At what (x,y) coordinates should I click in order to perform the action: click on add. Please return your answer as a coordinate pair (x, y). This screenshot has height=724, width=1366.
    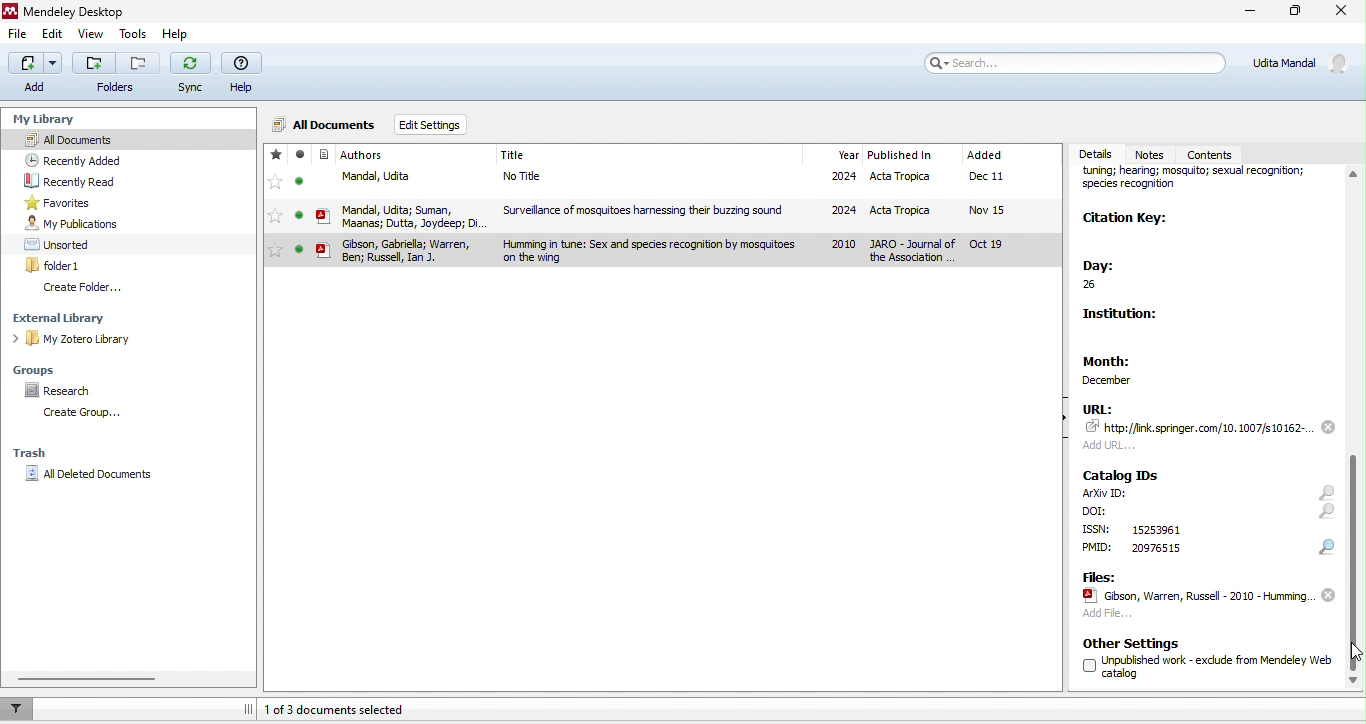
    Looking at the image, I should click on (1114, 444).